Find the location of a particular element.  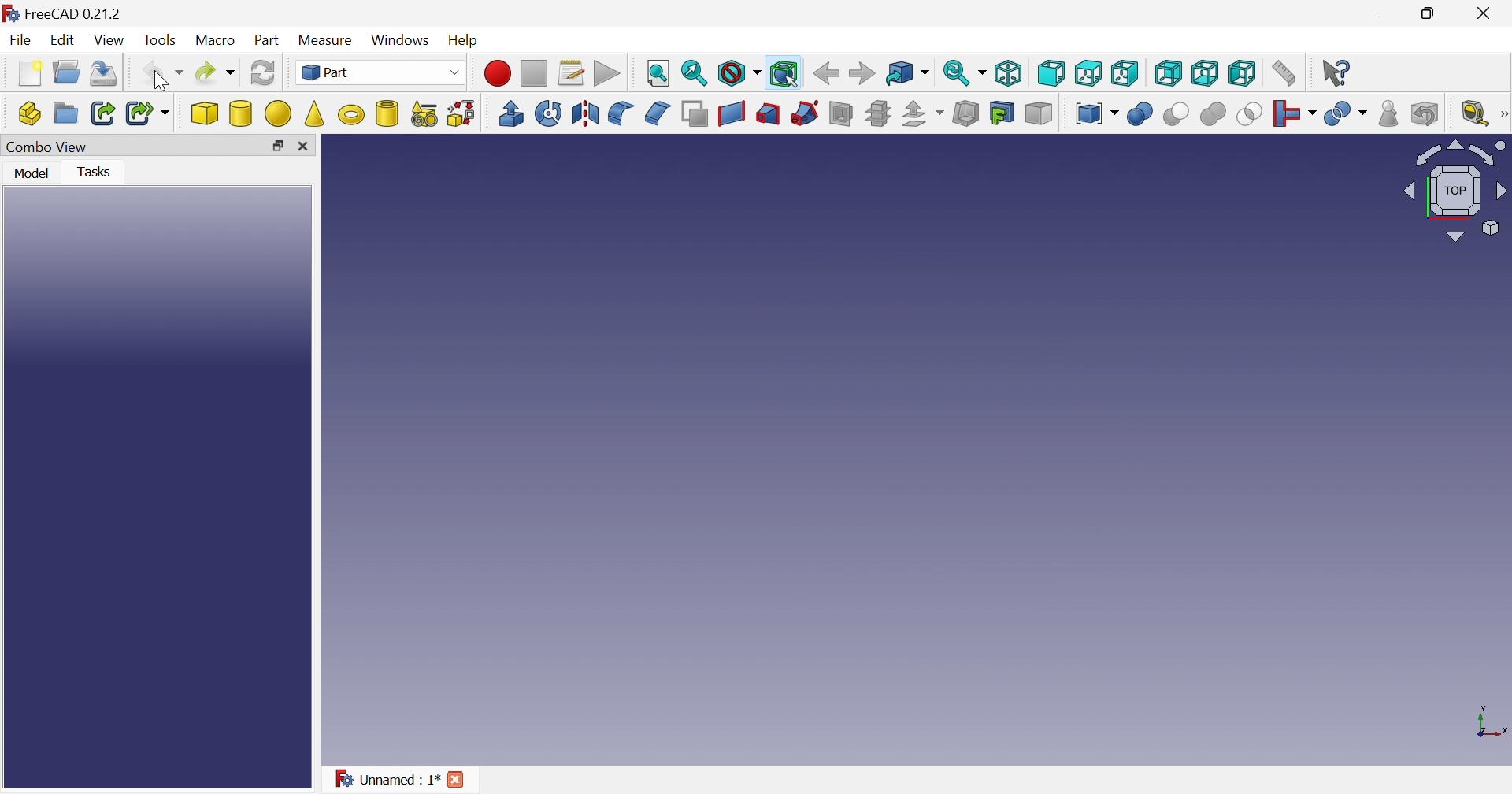

Create primitives... is located at coordinates (425, 114).